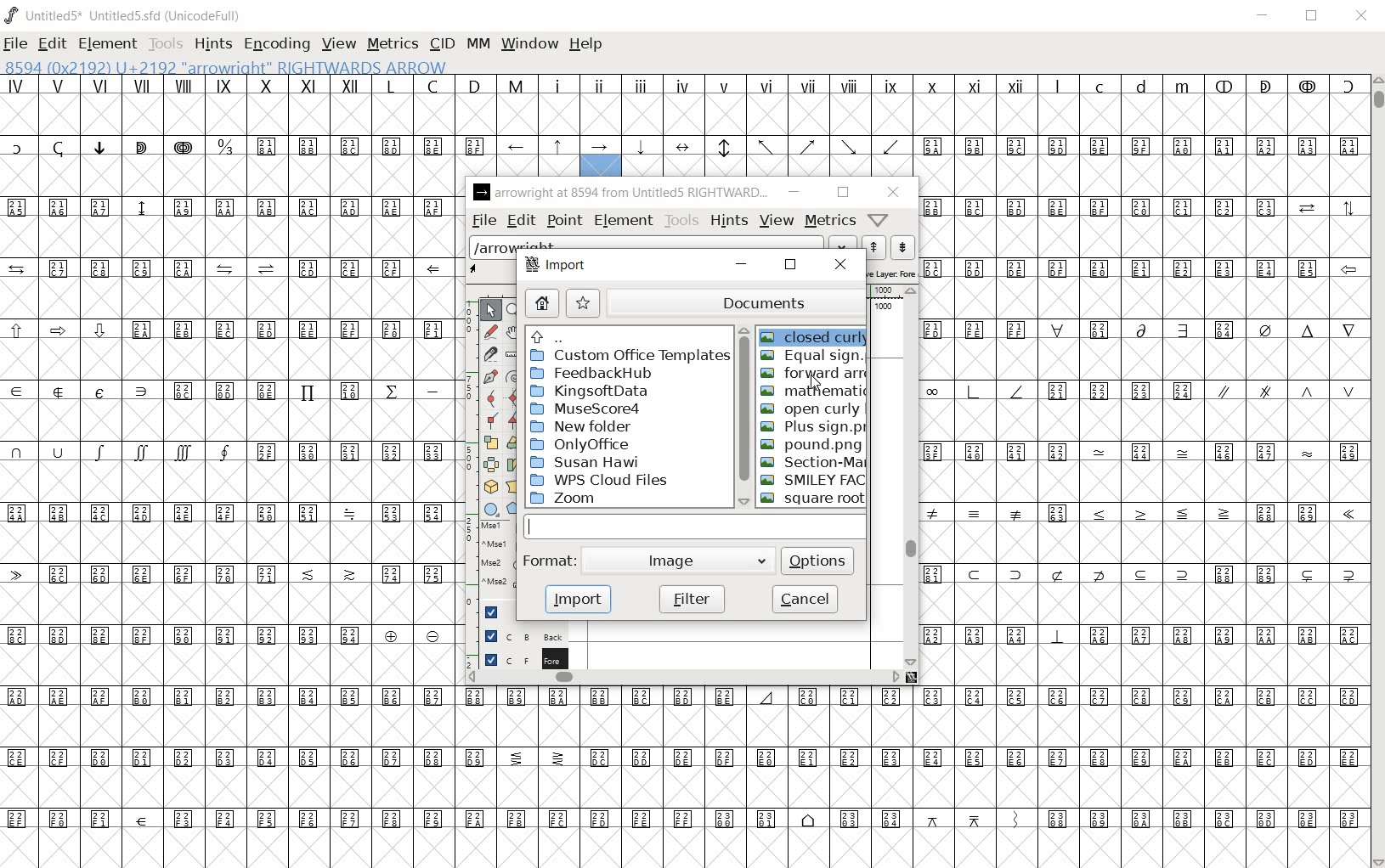 This screenshot has width=1385, height=868. What do you see at coordinates (814, 392) in the screenshot?
I see `mathematical summation` at bounding box center [814, 392].